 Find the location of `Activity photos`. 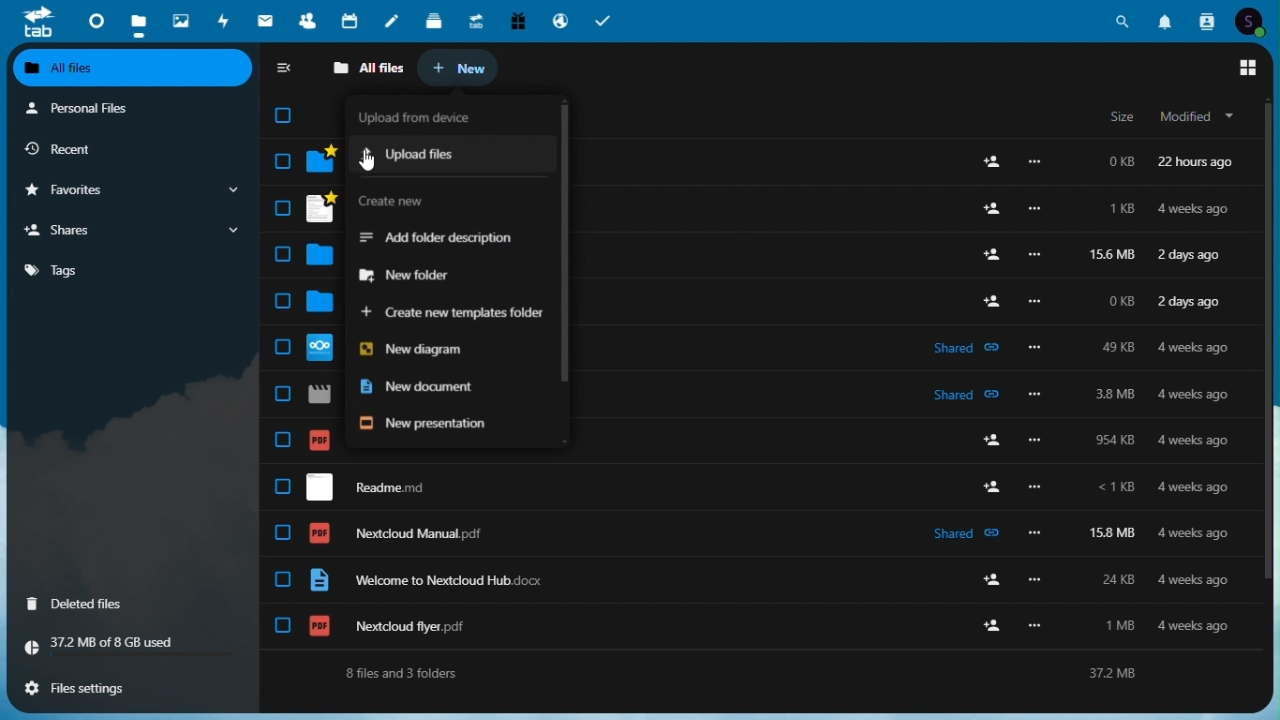

Activity photos is located at coordinates (225, 20).